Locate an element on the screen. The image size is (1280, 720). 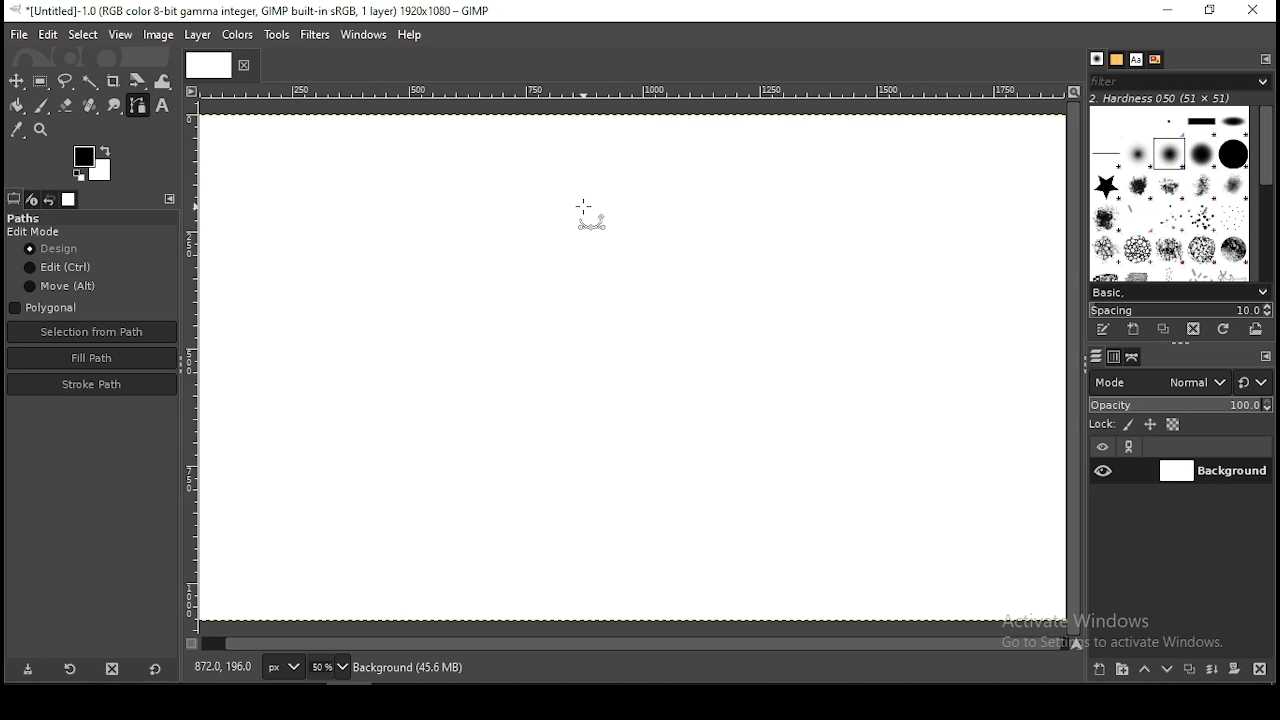
zoom status is located at coordinates (329, 667).